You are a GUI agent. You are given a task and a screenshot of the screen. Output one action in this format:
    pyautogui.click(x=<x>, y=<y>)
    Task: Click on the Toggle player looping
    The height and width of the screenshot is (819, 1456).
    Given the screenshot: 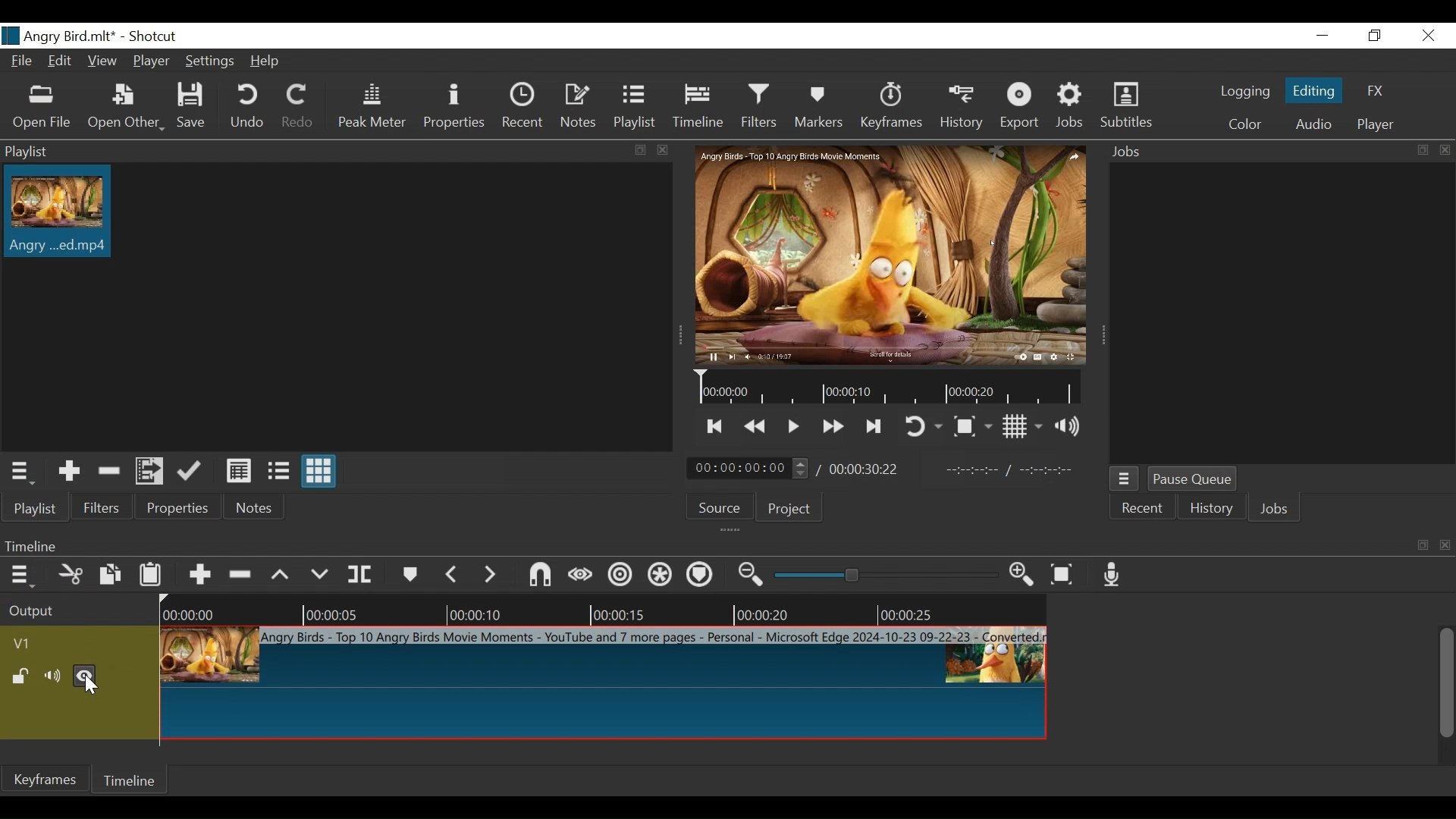 What is the action you would take?
    pyautogui.click(x=923, y=427)
    